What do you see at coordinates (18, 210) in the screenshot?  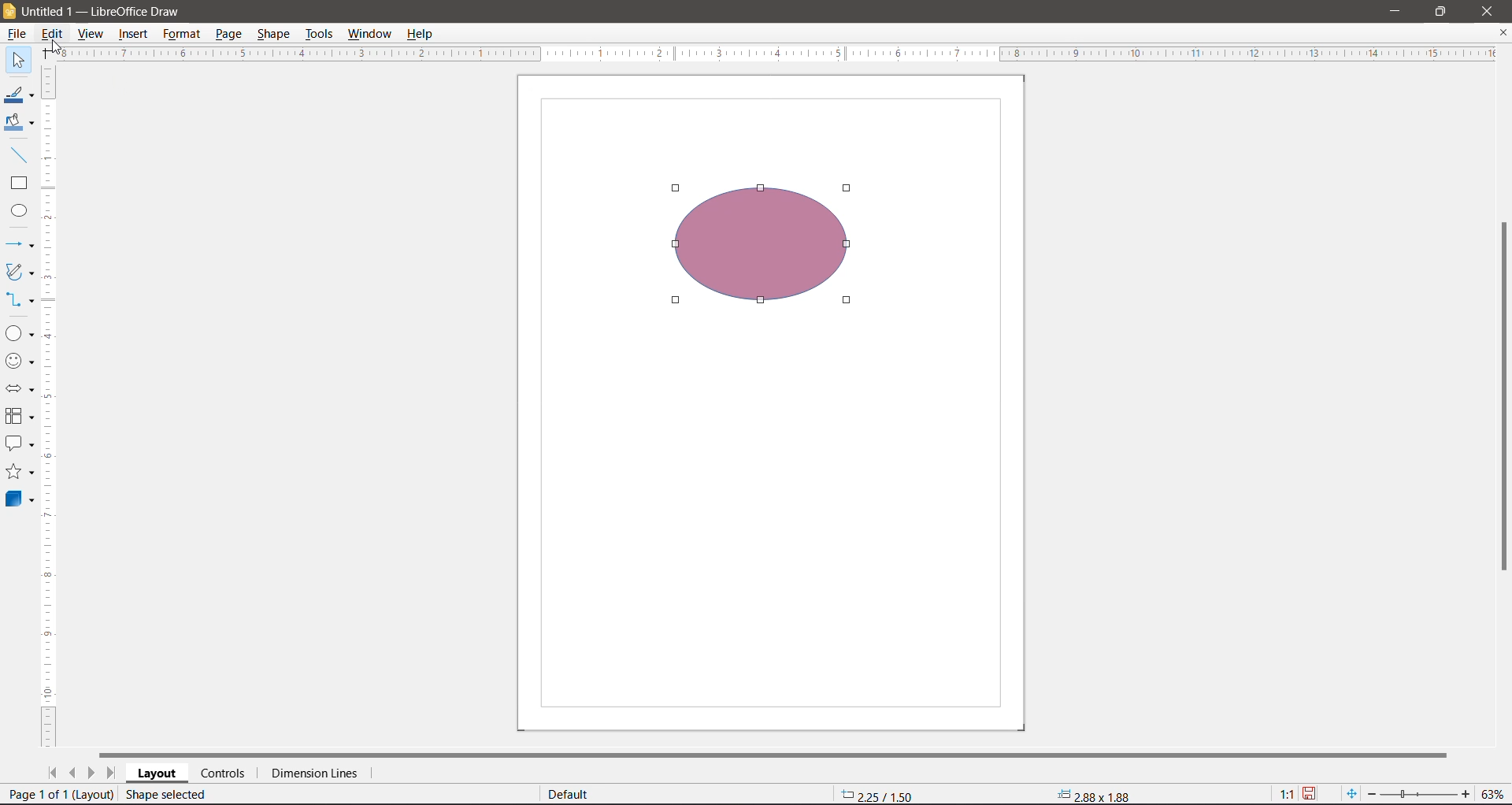 I see `Ellipse` at bounding box center [18, 210].